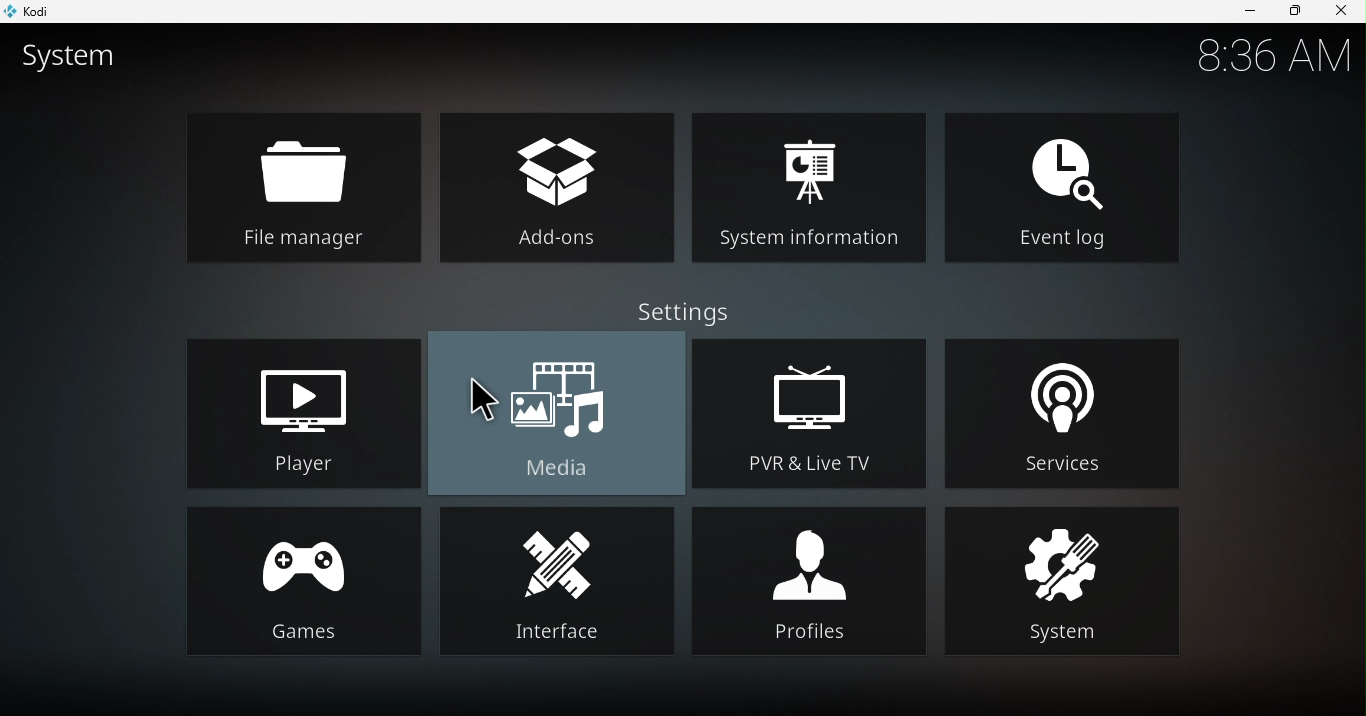  Describe the element at coordinates (301, 188) in the screenshot. I see `File manager` at that location.